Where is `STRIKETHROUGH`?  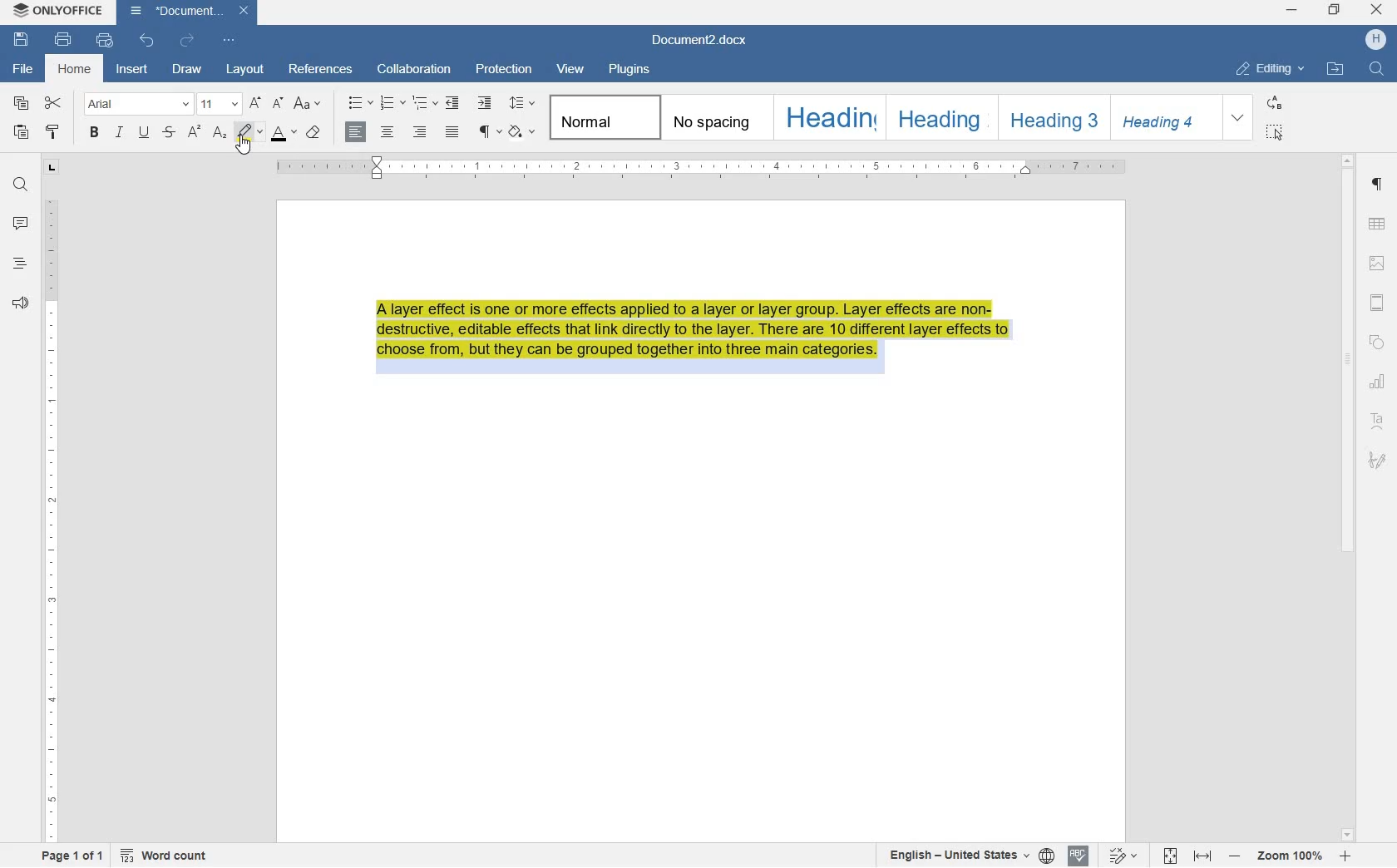
STRIKETHROUGH is located at coordinates (167, 133).